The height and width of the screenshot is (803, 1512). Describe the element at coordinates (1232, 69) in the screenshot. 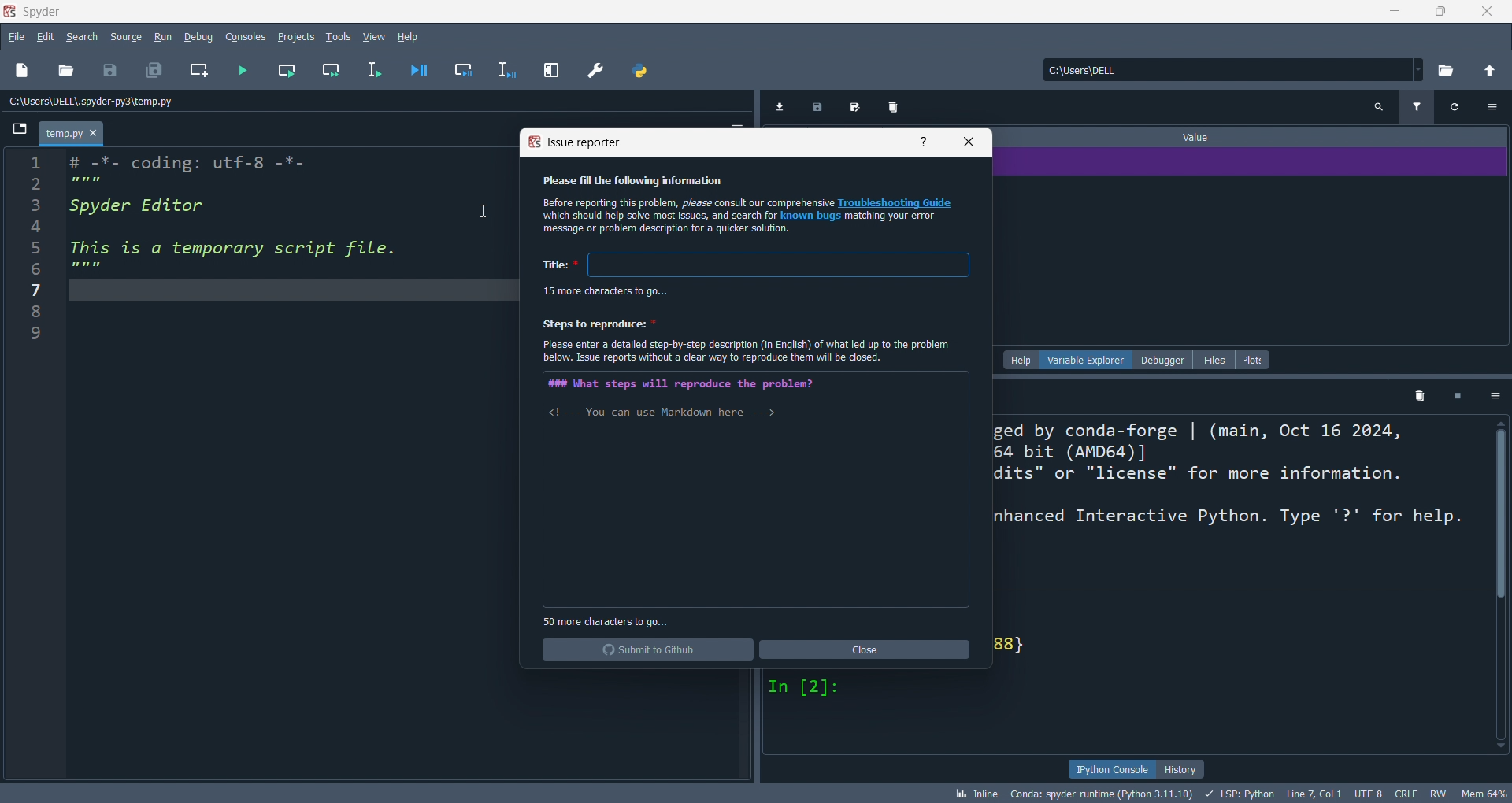

I see `current directory` at that location.